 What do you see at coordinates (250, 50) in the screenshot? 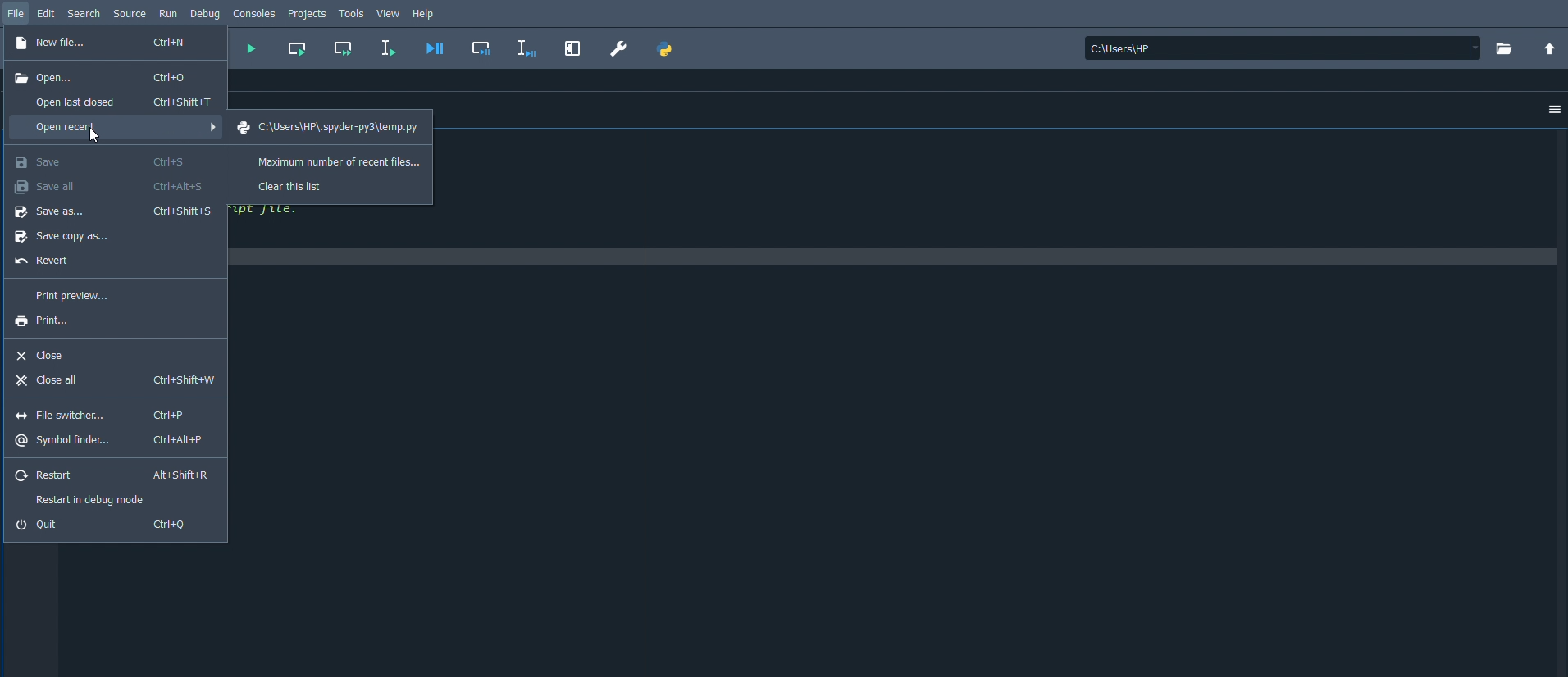
I see `Run file` at bounding box center [250, 50].